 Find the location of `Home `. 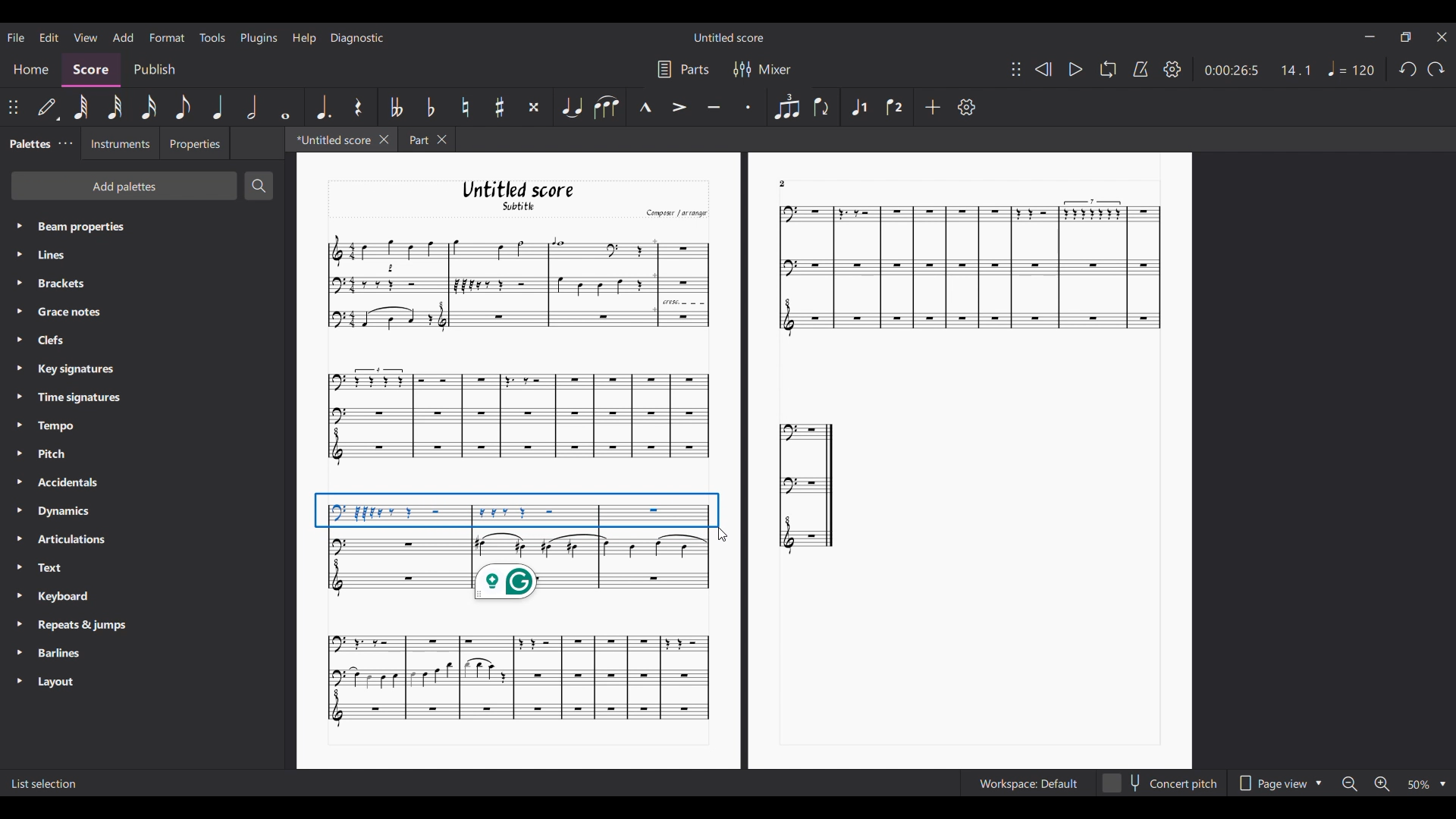

Home  is located at coordinates (30, 71).